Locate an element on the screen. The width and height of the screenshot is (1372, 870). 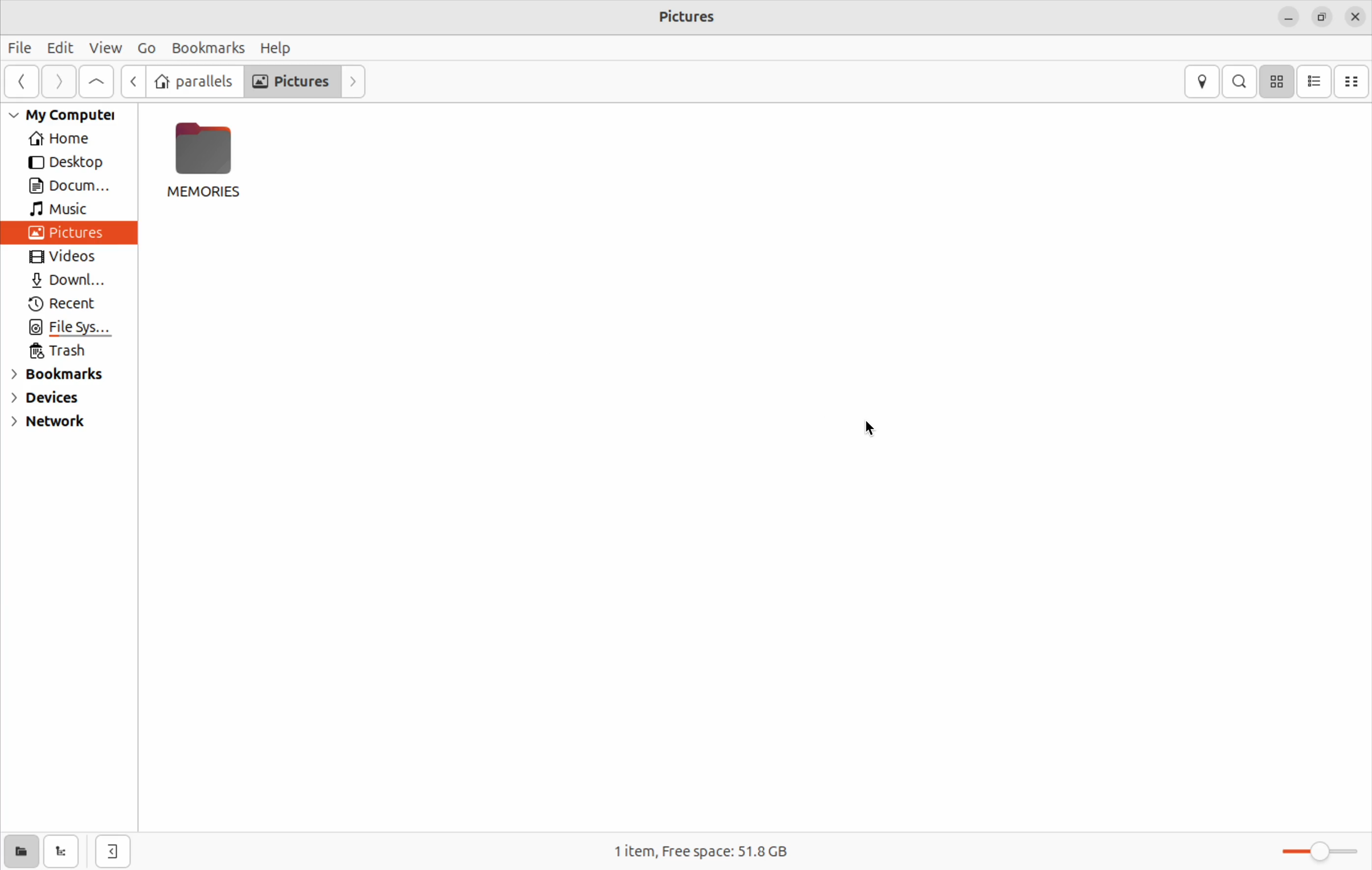
Downl... is located at coordinates (64, 281).